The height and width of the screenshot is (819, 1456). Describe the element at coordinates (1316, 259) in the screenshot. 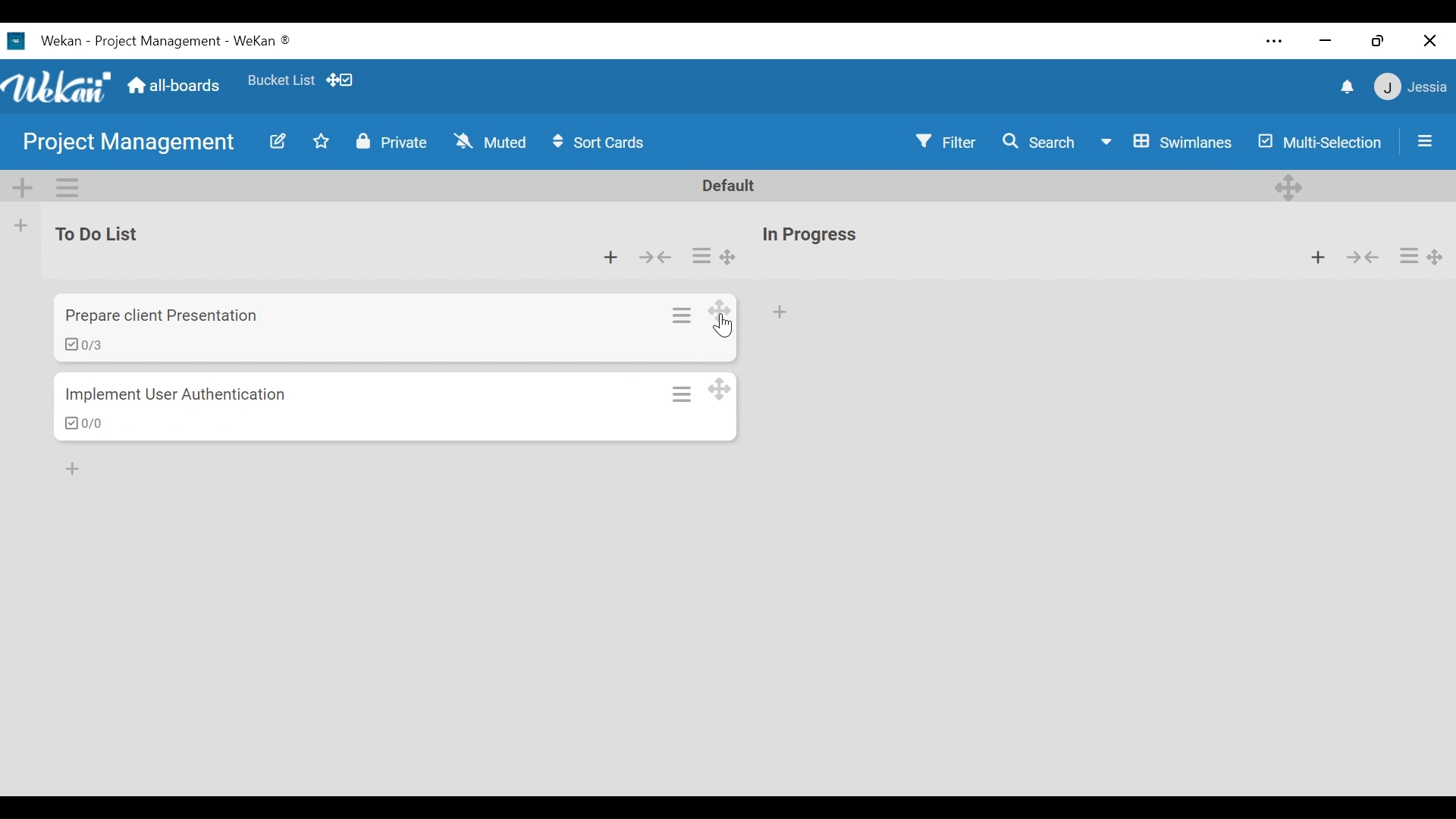

I see `Add list` at that location.